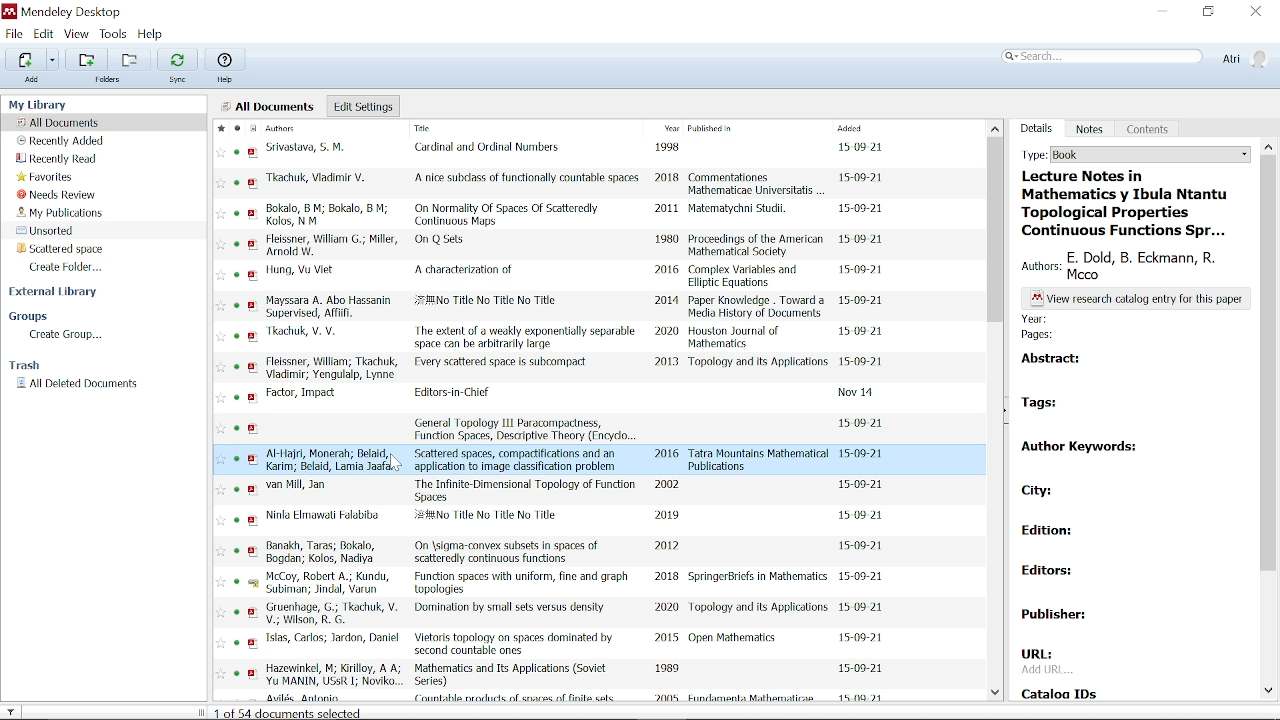 This screenshot has height=720, width=1280. What do you see at coordinates (667, 271) in the screenshot?
I see `2016` at bounding box center [667, 271].